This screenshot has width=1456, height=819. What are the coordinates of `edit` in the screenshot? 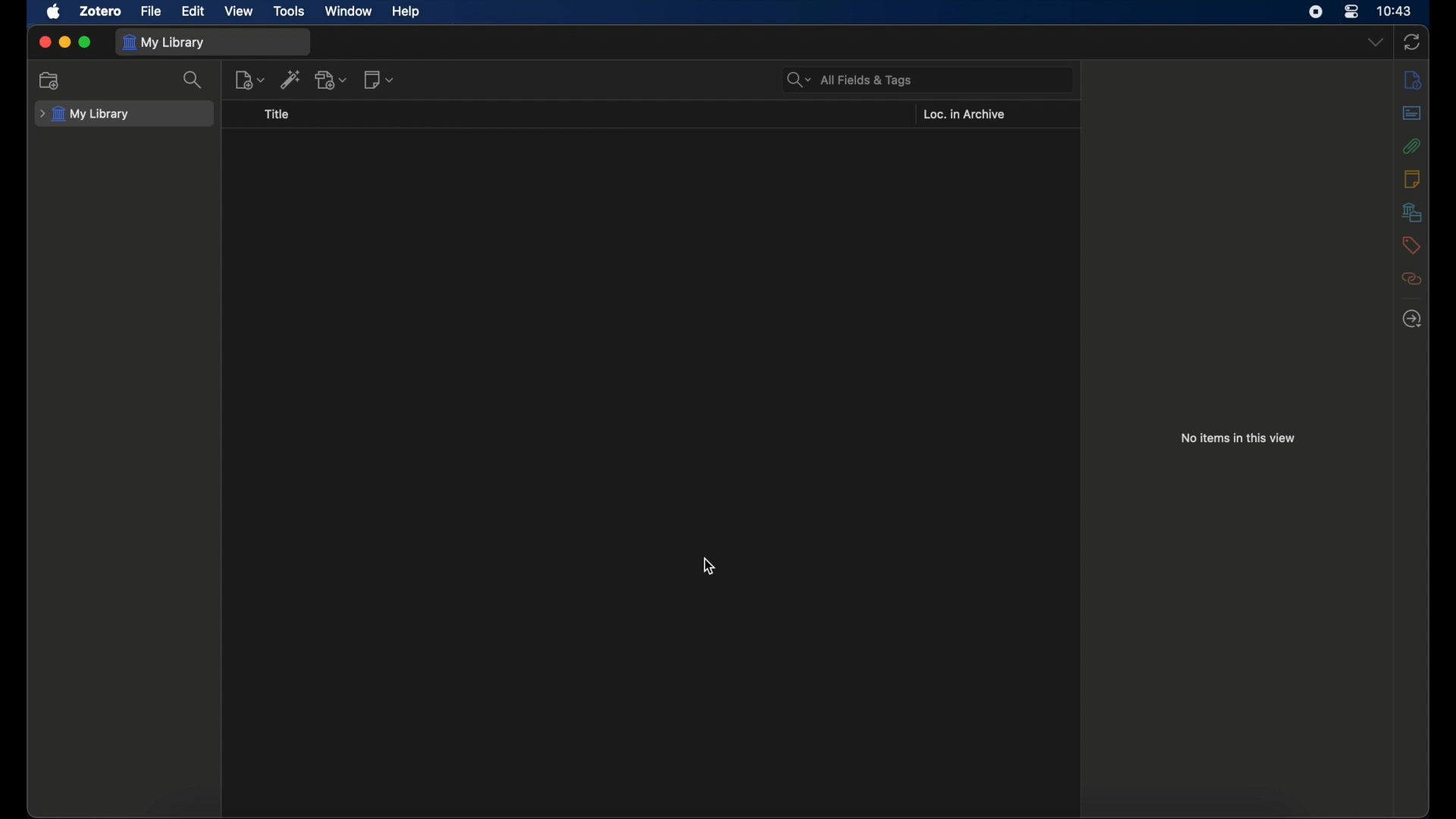 It's located at (195, 12).